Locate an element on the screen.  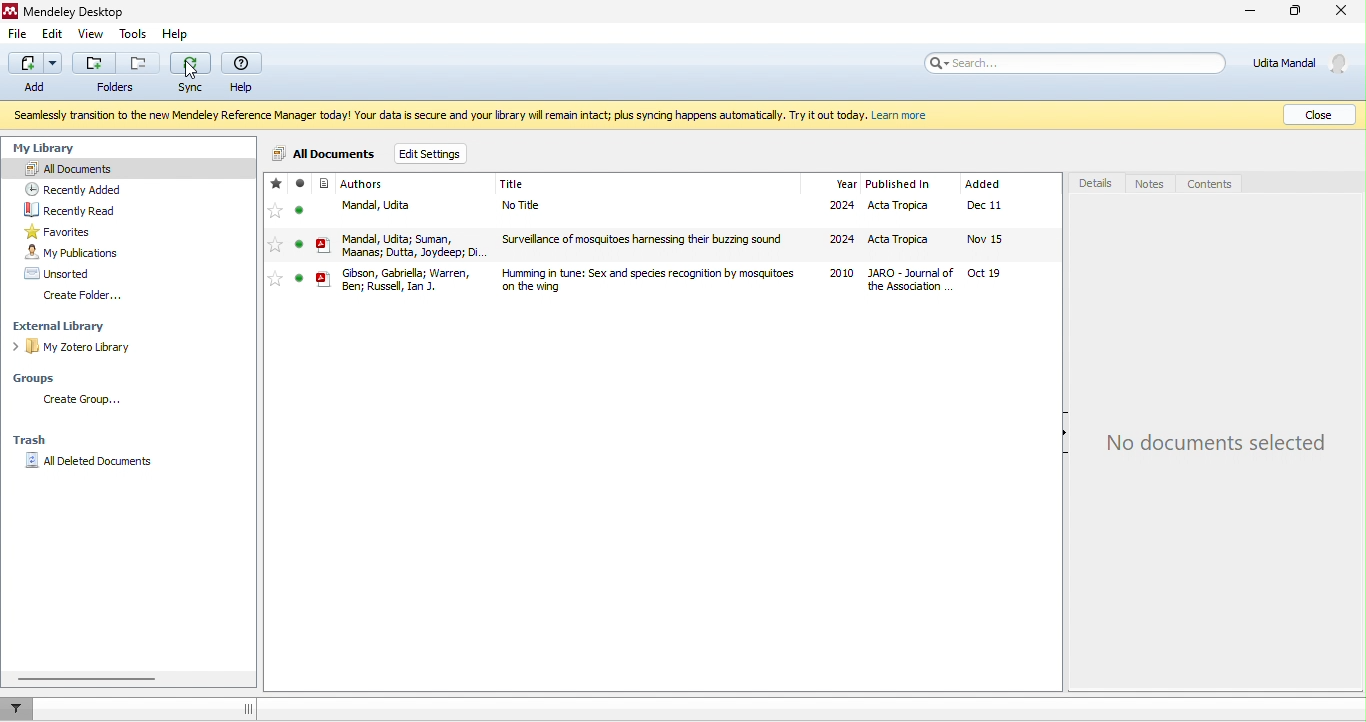
Close is located at coordinates (1319, 115).